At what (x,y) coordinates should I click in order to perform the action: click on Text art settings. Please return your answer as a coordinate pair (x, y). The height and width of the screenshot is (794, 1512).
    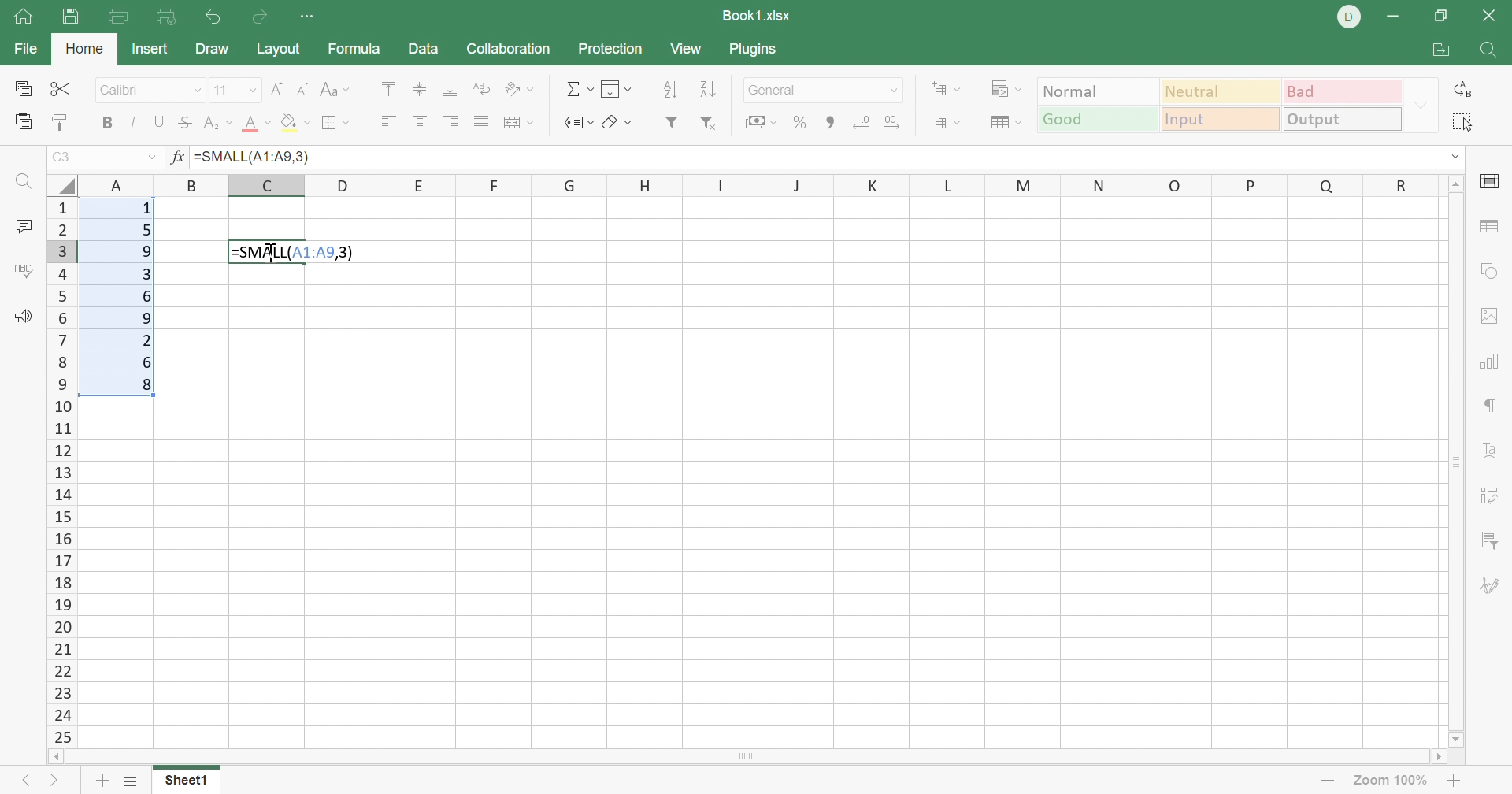
    Looking at the image, I should click on (1494, 452).